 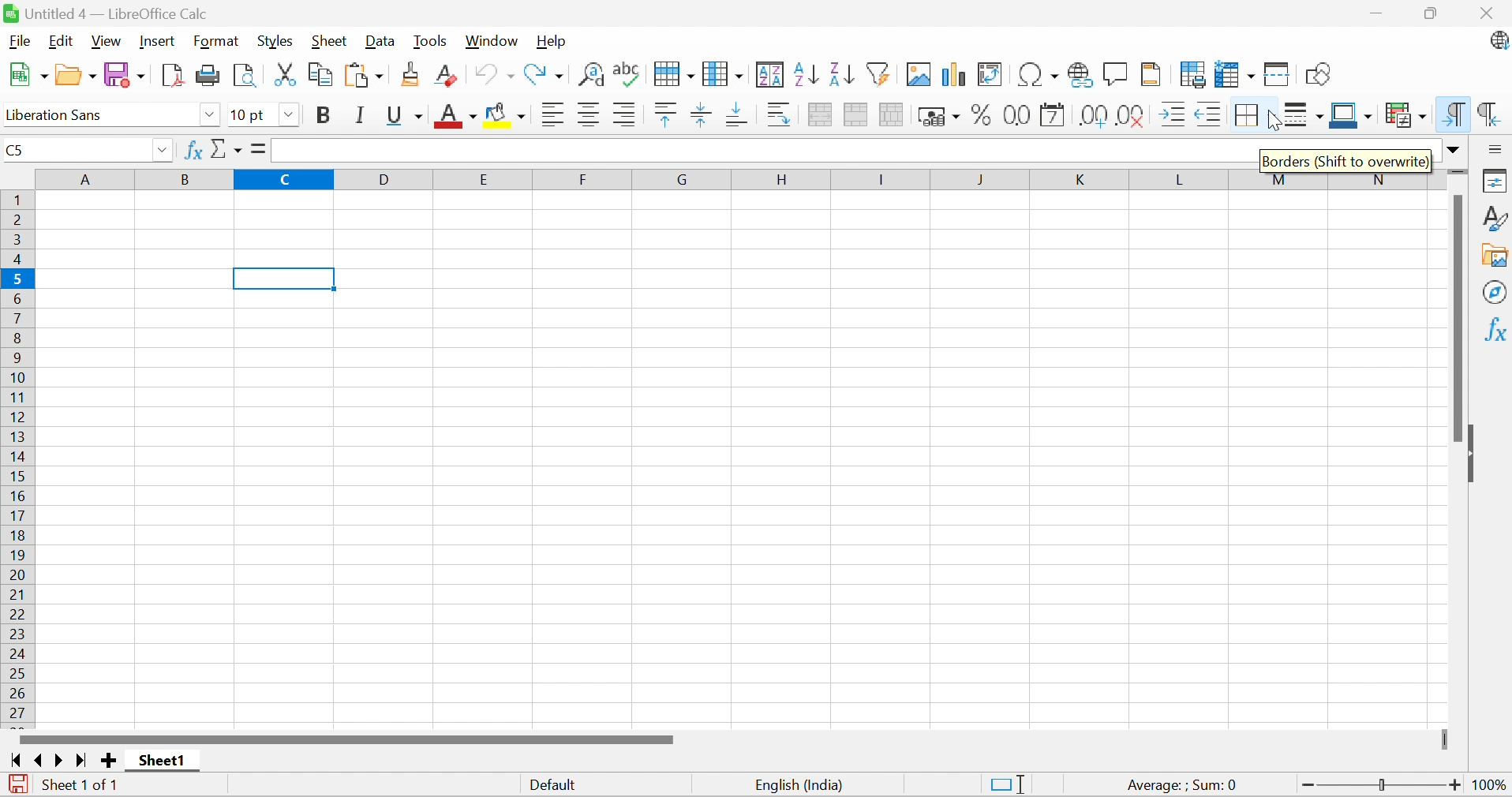 I want to click on Scroll bar, so click(x=346, y=739).